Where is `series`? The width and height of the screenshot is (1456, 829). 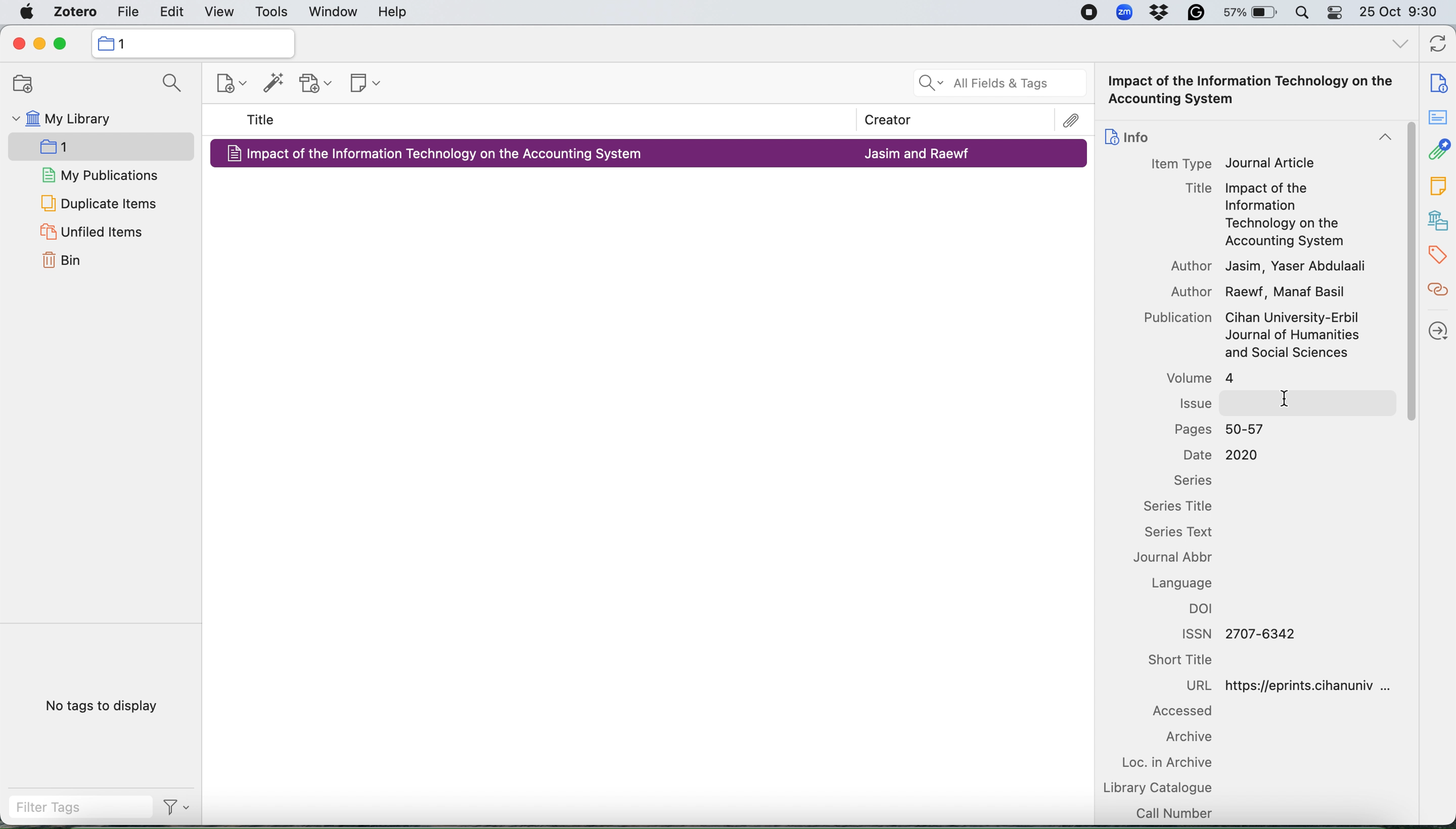
series is located at coordinates (1191, 480).